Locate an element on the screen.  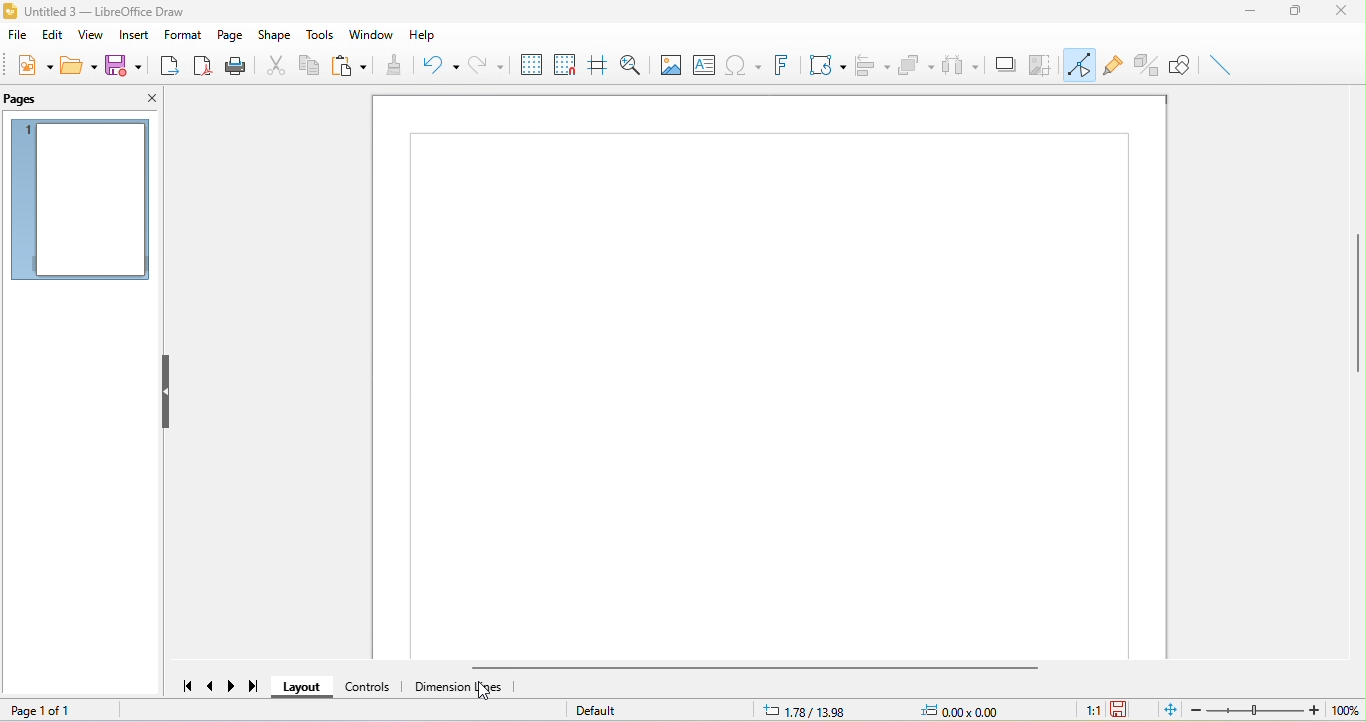
shadow is located at coordinates (1004, 65).